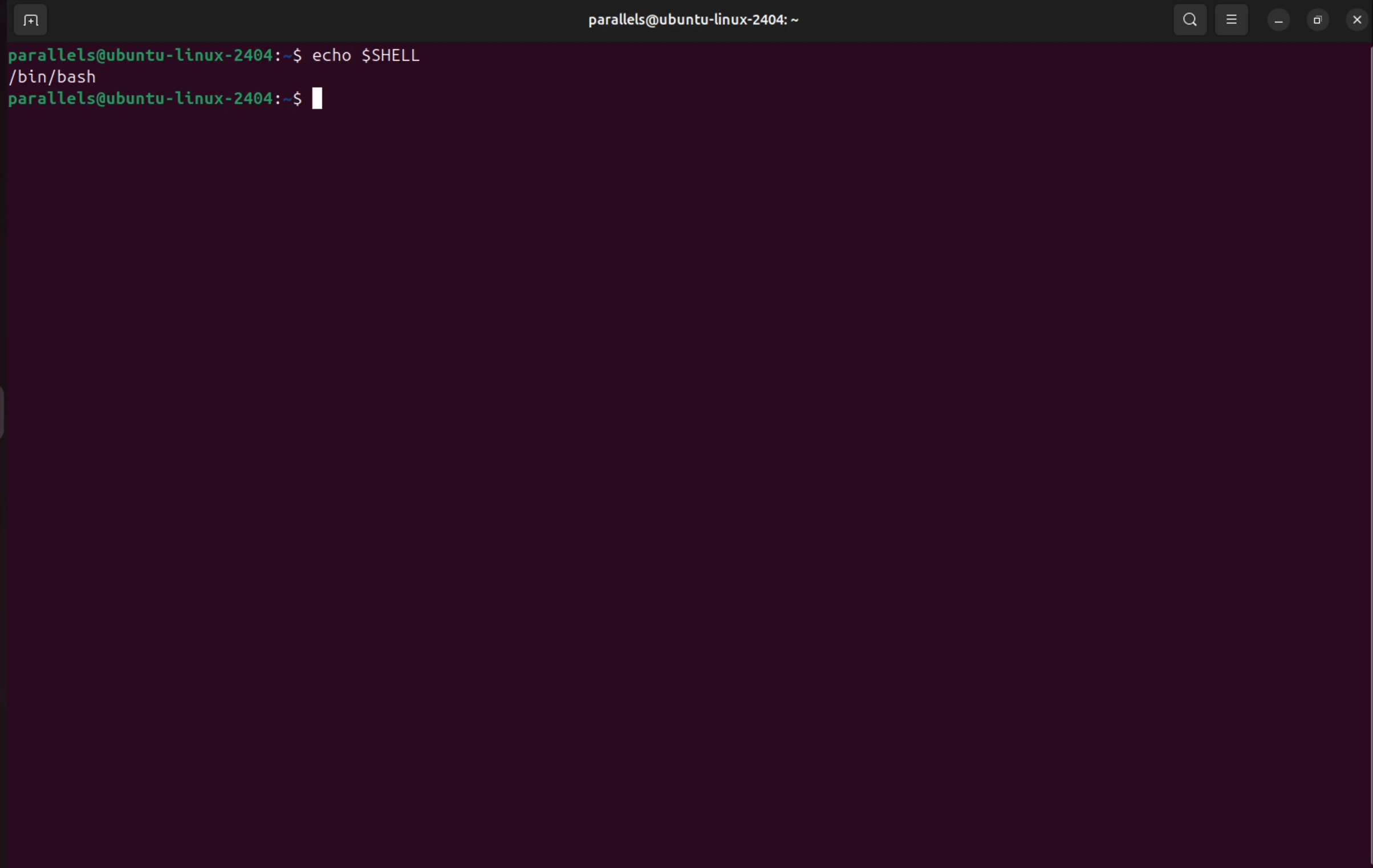  What do you see at coordinates (1233, 20) in the screenshot?
I see `view options` at bounding box center [1233, 20].